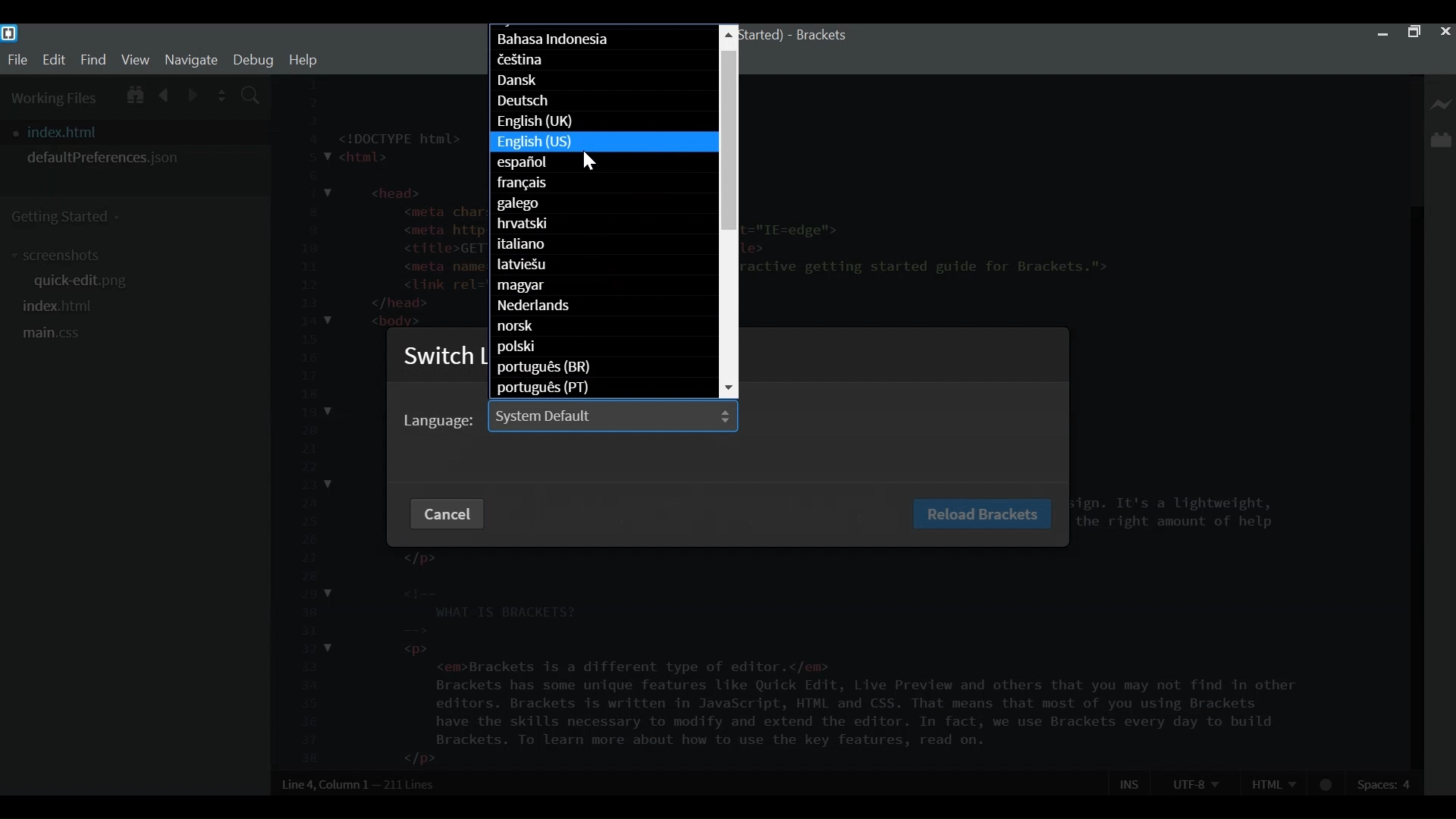 This screenshot has width=1456, height=819. I want to click on norsk, so click(604, 325).